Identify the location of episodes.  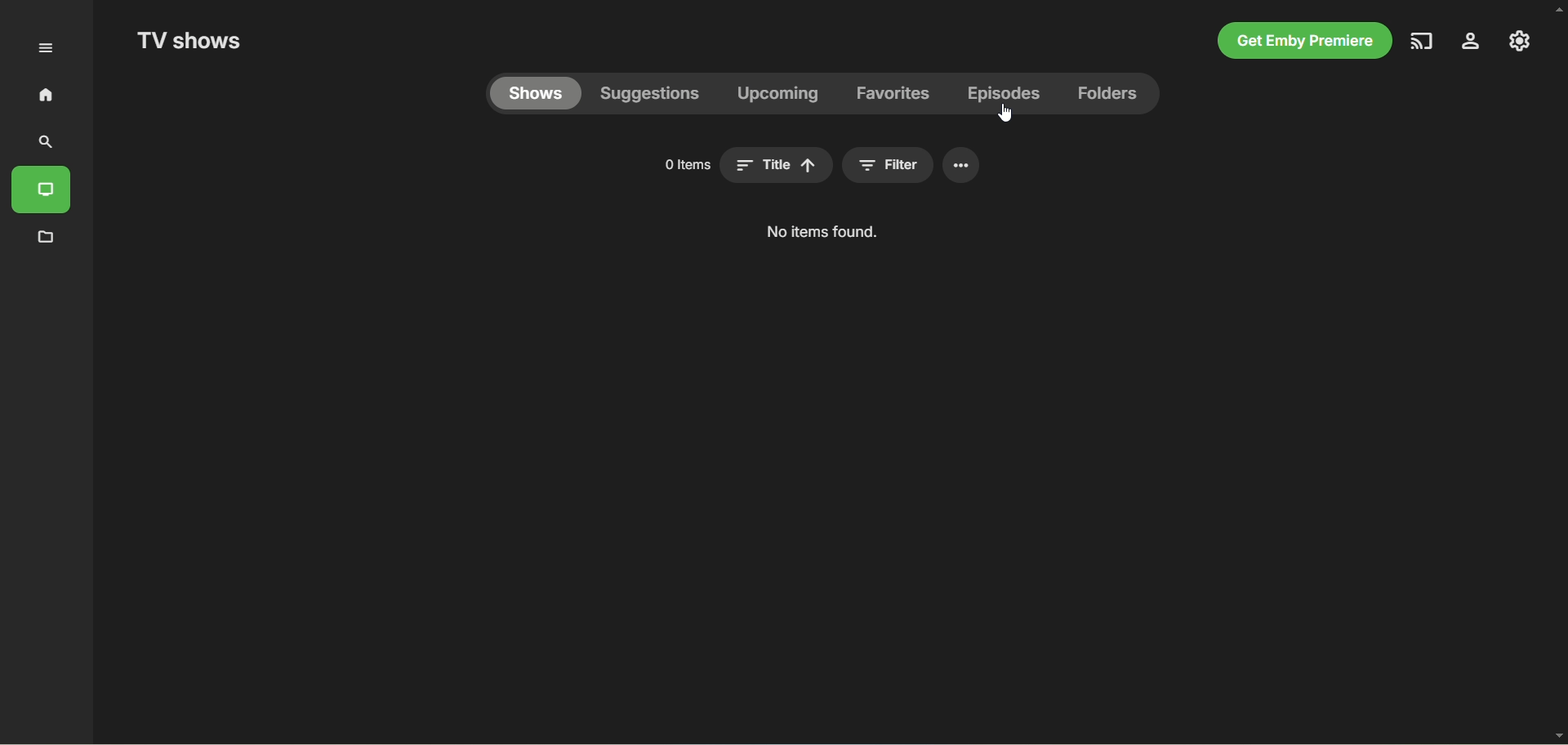
(1006, 94).